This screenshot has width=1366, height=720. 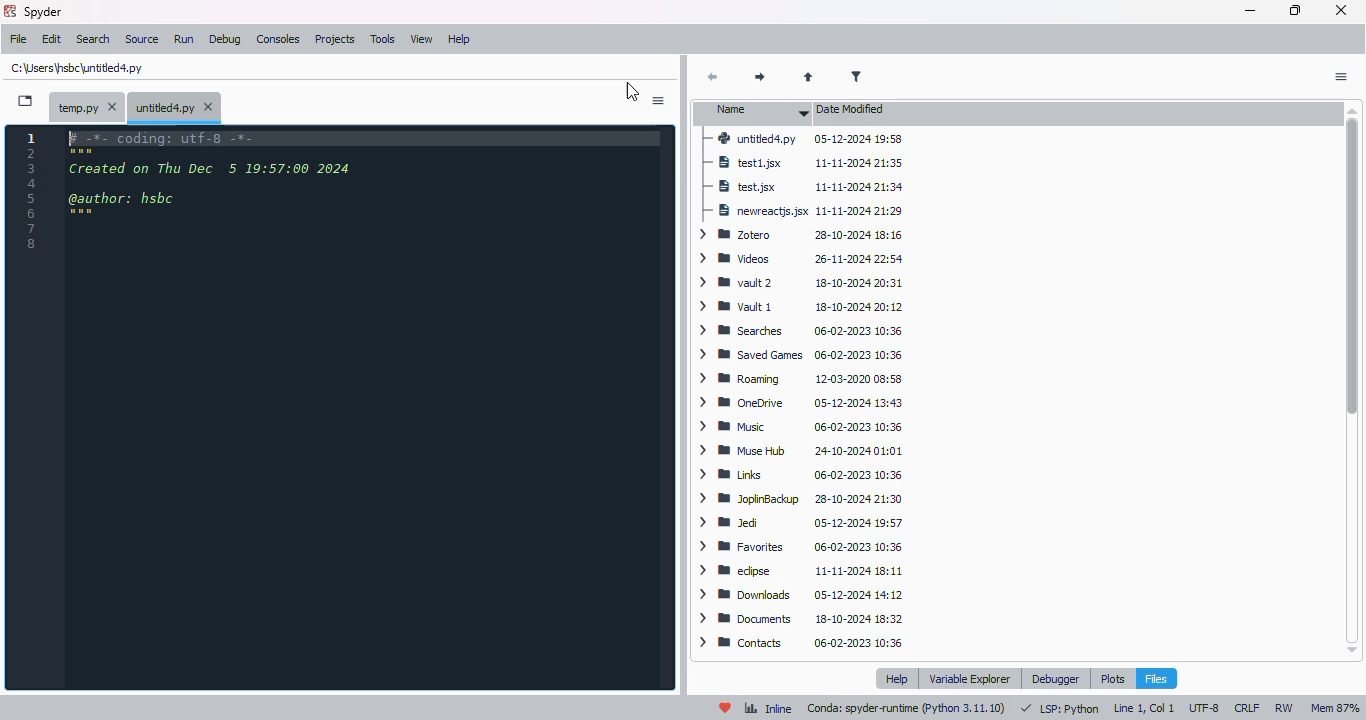 I want to click on untitled4.py, so click(x=803, y=139).